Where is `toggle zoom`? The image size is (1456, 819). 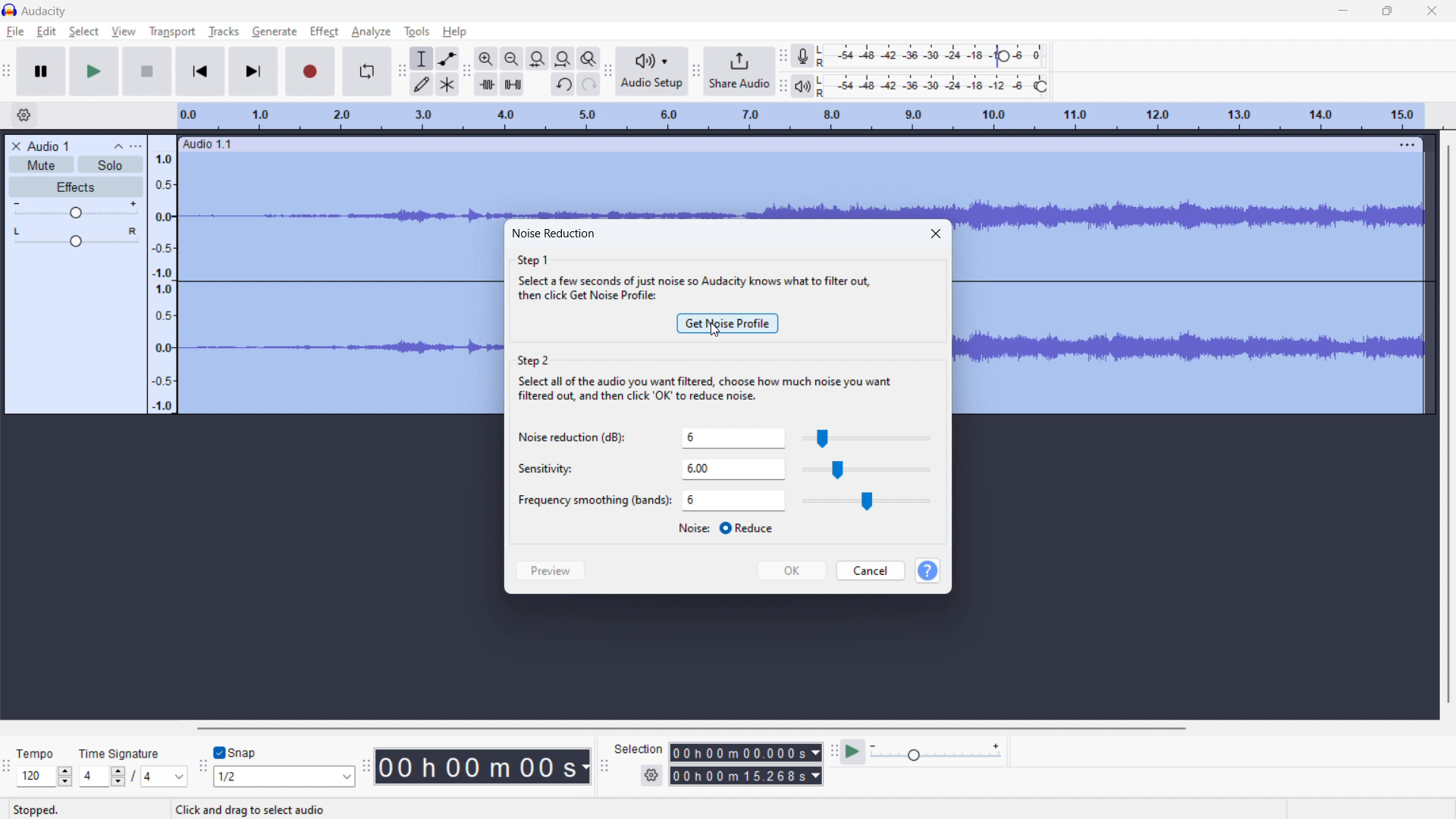 toggle zoom is located at coordinates (588, 58).